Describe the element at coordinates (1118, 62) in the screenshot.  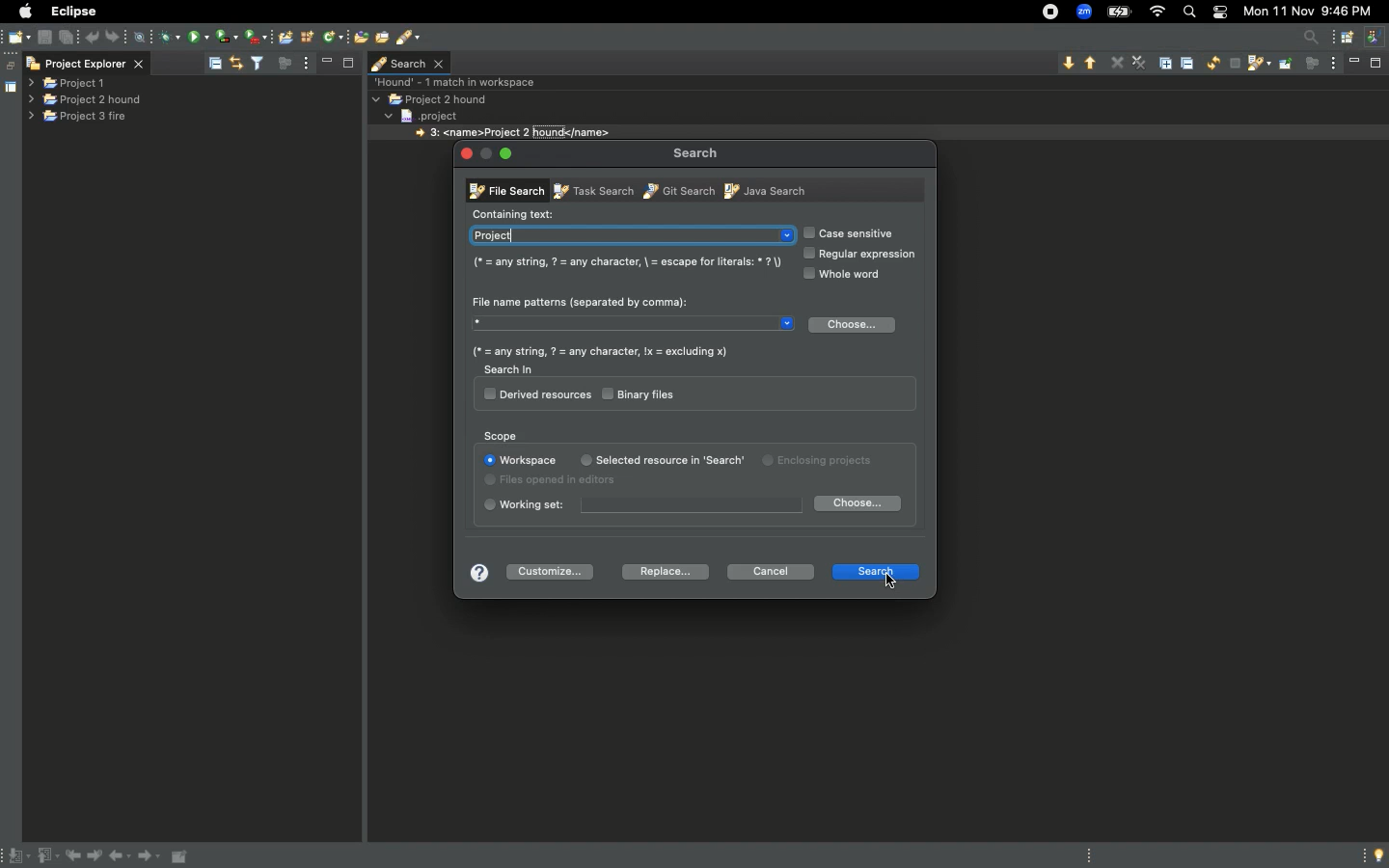
I see `Remove selected matches` at that location.